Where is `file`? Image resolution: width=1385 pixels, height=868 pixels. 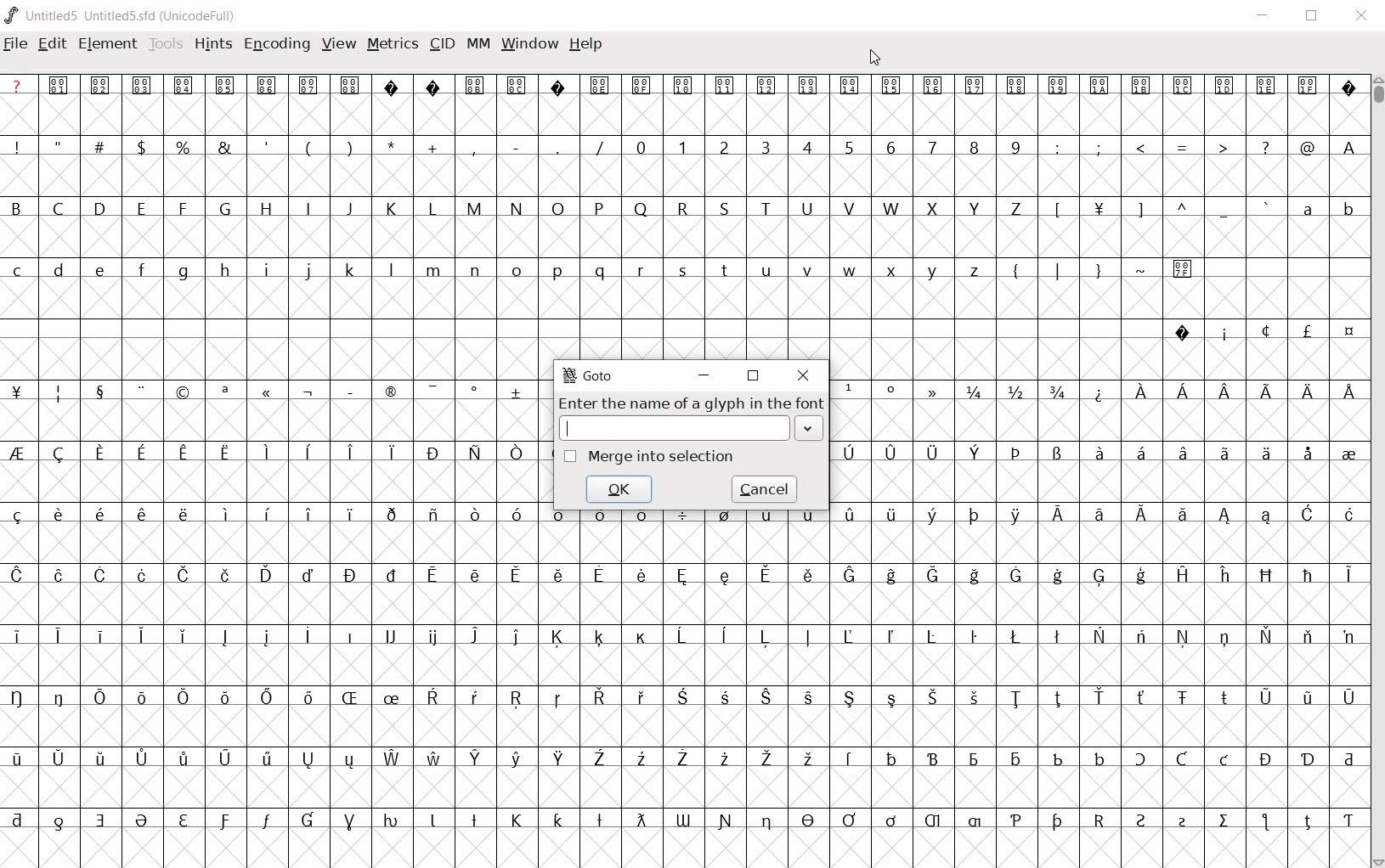
file is located at coordinates (14, 45).